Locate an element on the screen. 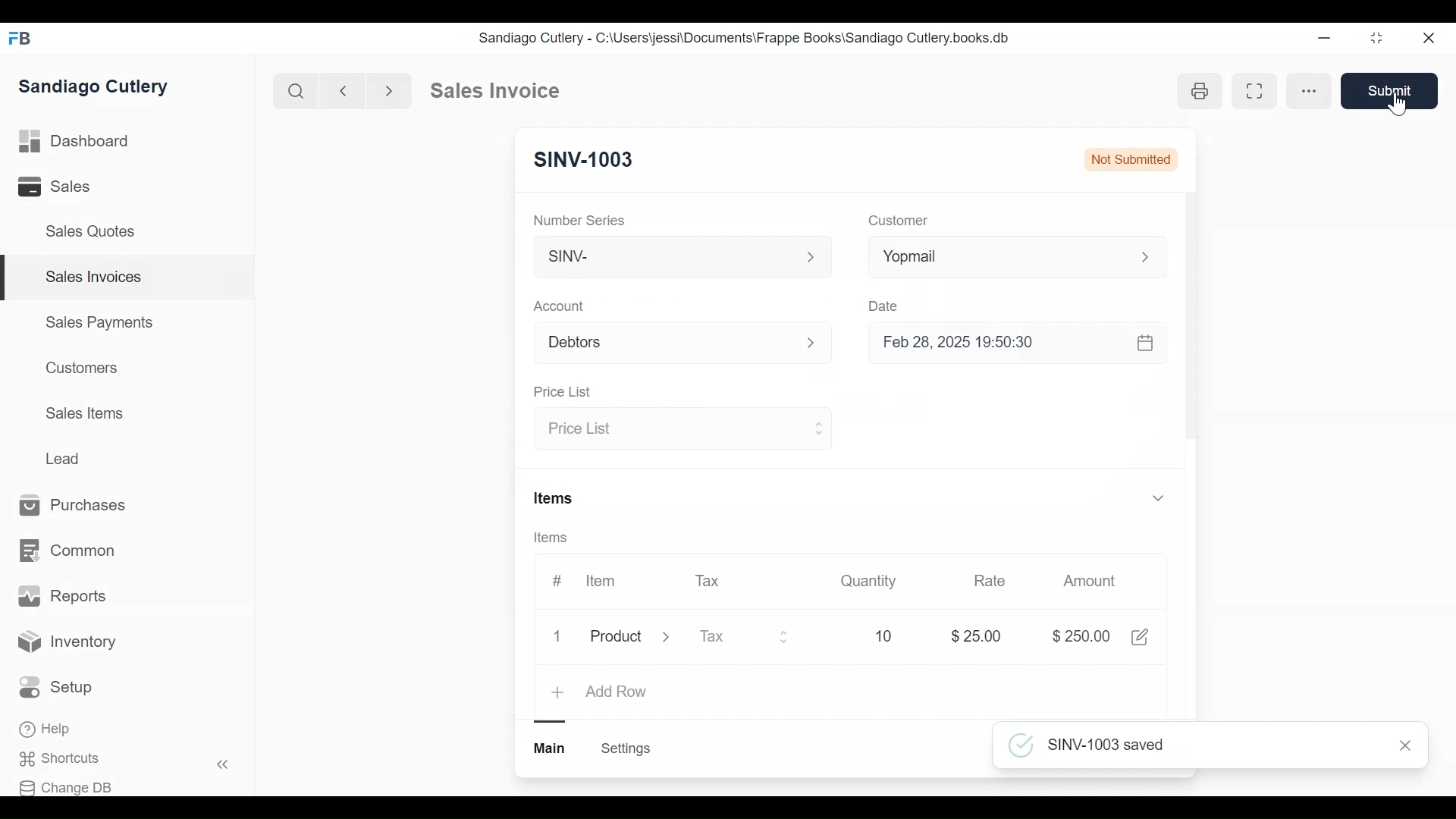  Inventory is located at coordinates (67, 644).